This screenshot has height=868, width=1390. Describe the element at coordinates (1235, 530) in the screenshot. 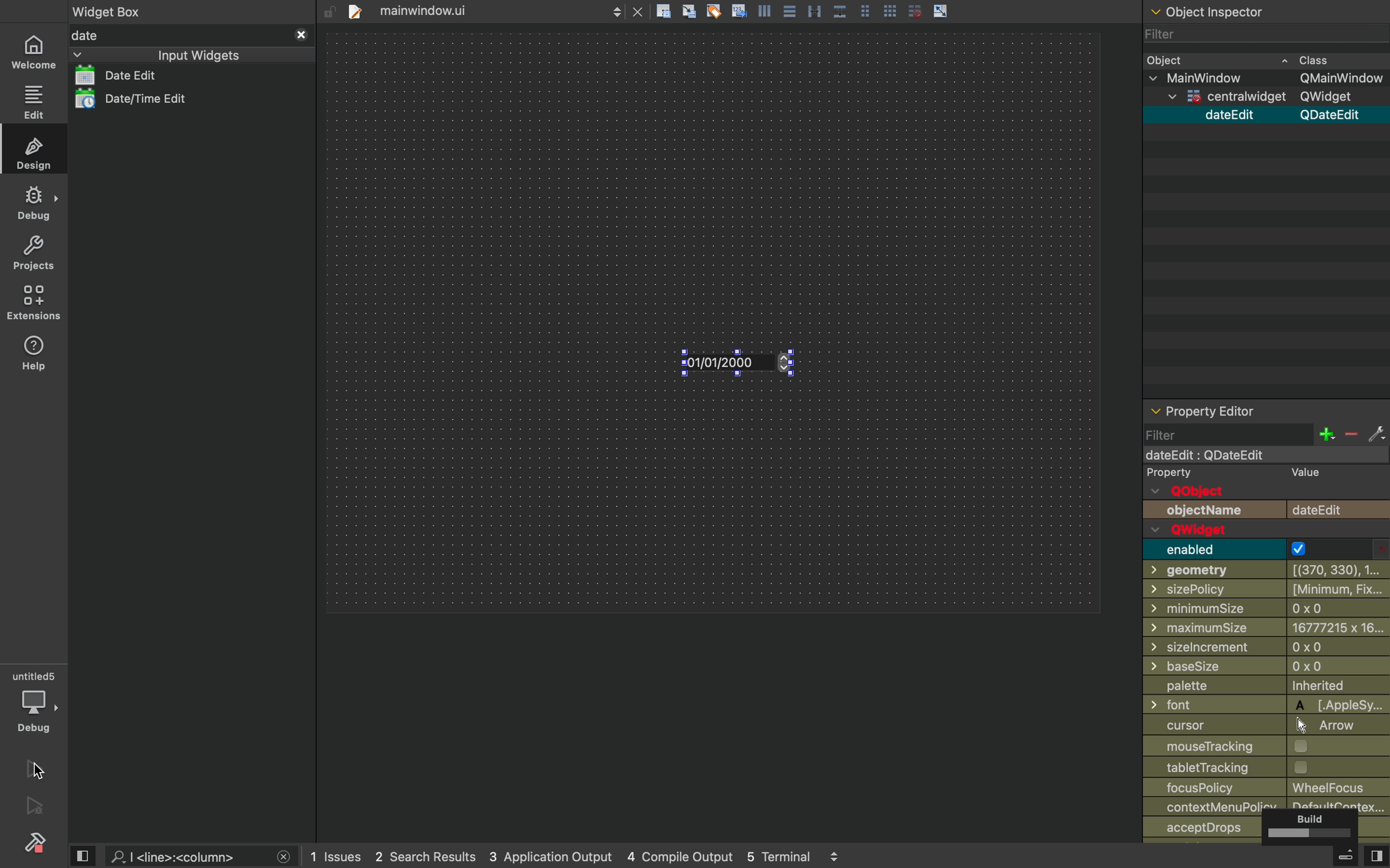

I see `q widget` at that location.